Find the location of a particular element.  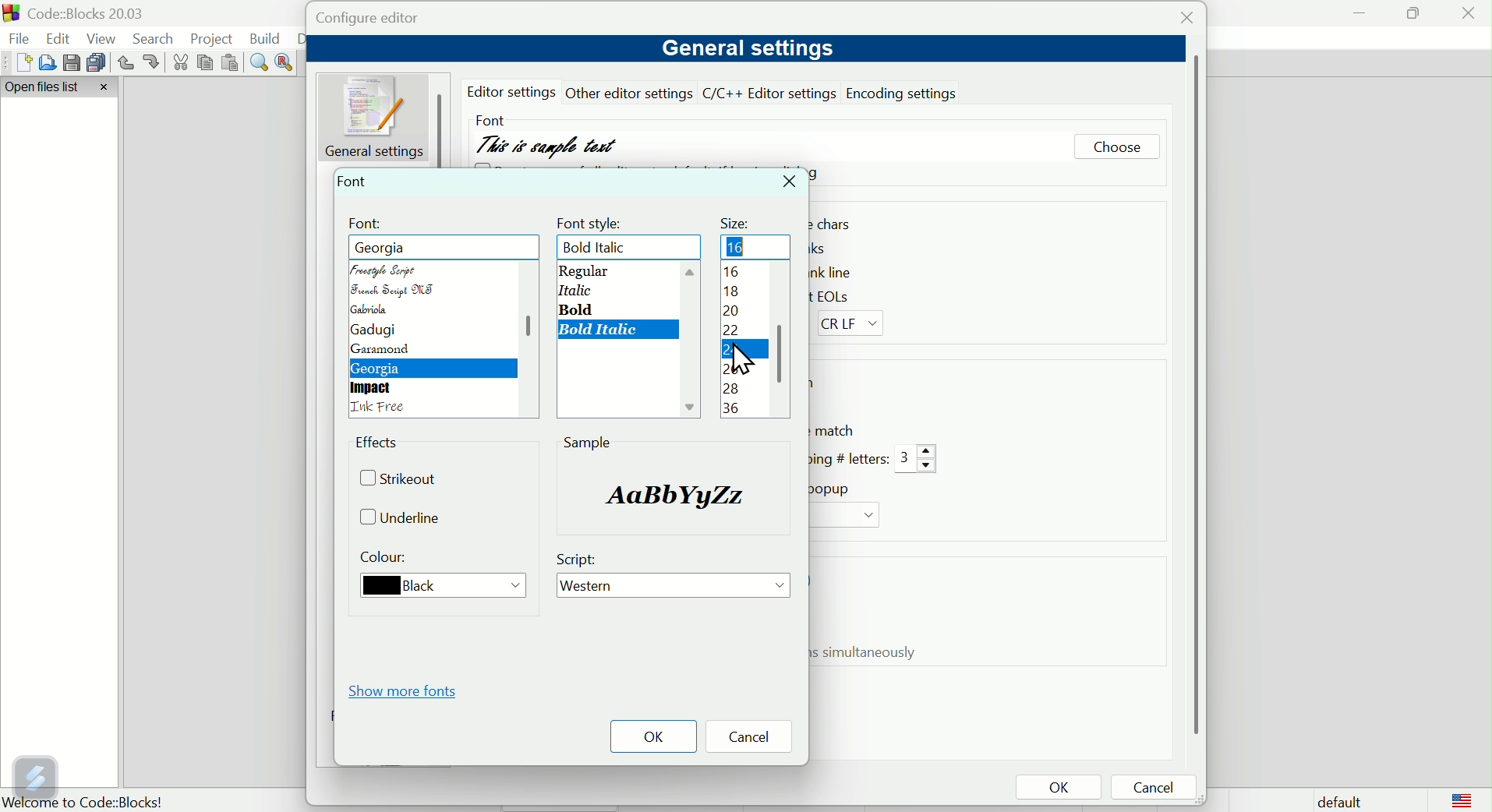

Georgia is located at coordinates (380, 369).